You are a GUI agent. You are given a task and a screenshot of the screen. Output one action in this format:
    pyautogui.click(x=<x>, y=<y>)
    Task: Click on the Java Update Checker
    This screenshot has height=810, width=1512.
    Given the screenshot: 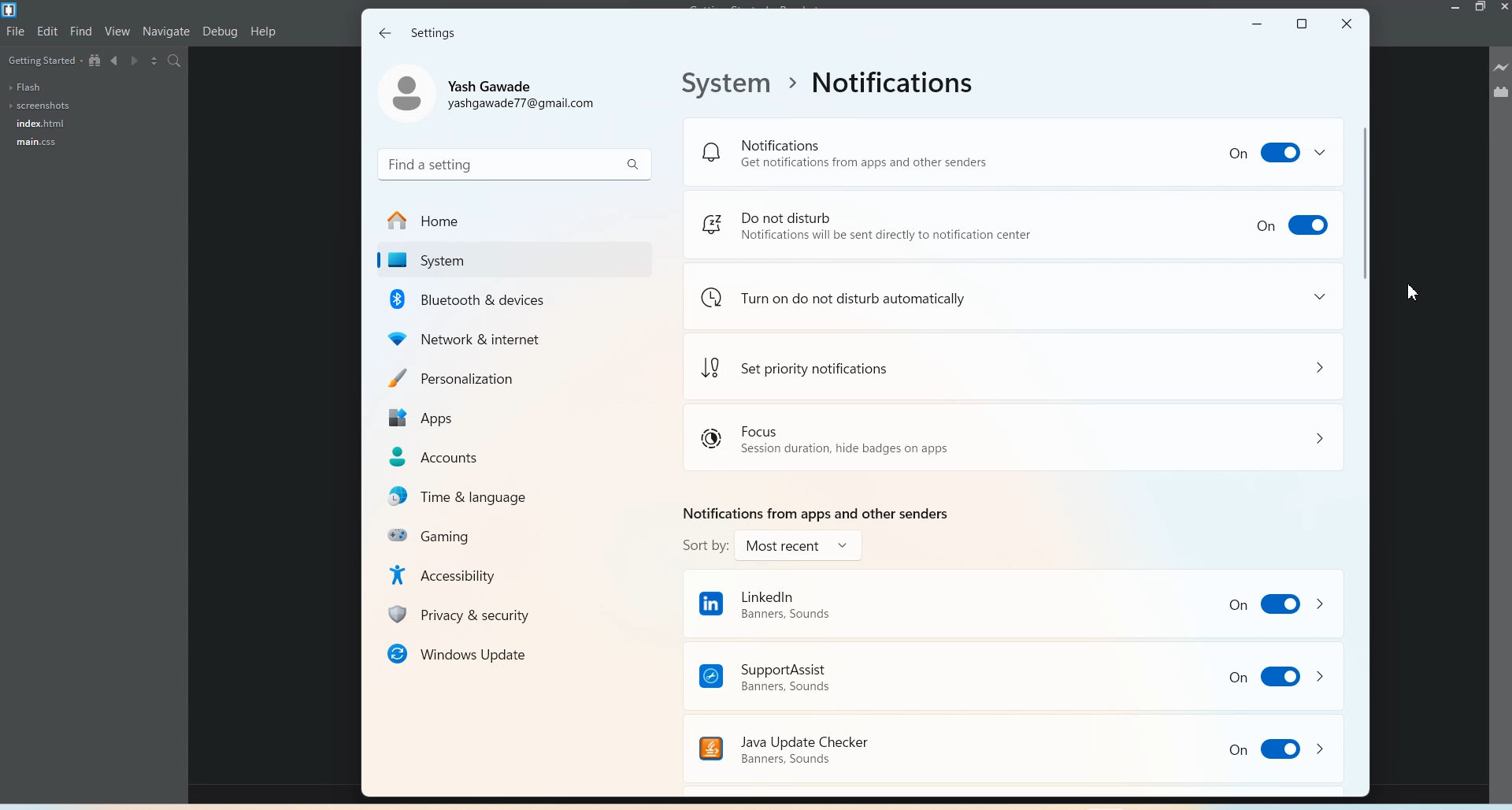 What is the action you would take?
    pyautogui.click(x=899, y=746)
    